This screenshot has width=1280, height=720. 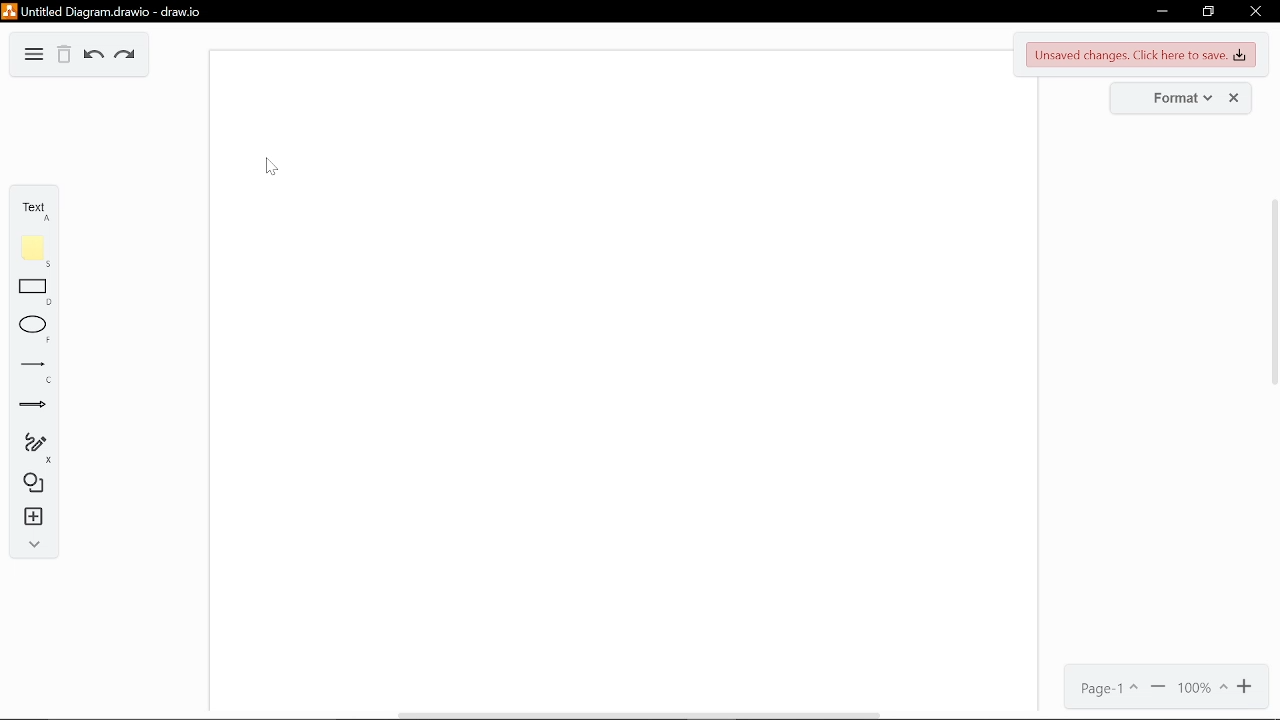 I want to click on ellipse, so click(x=29, y=328).